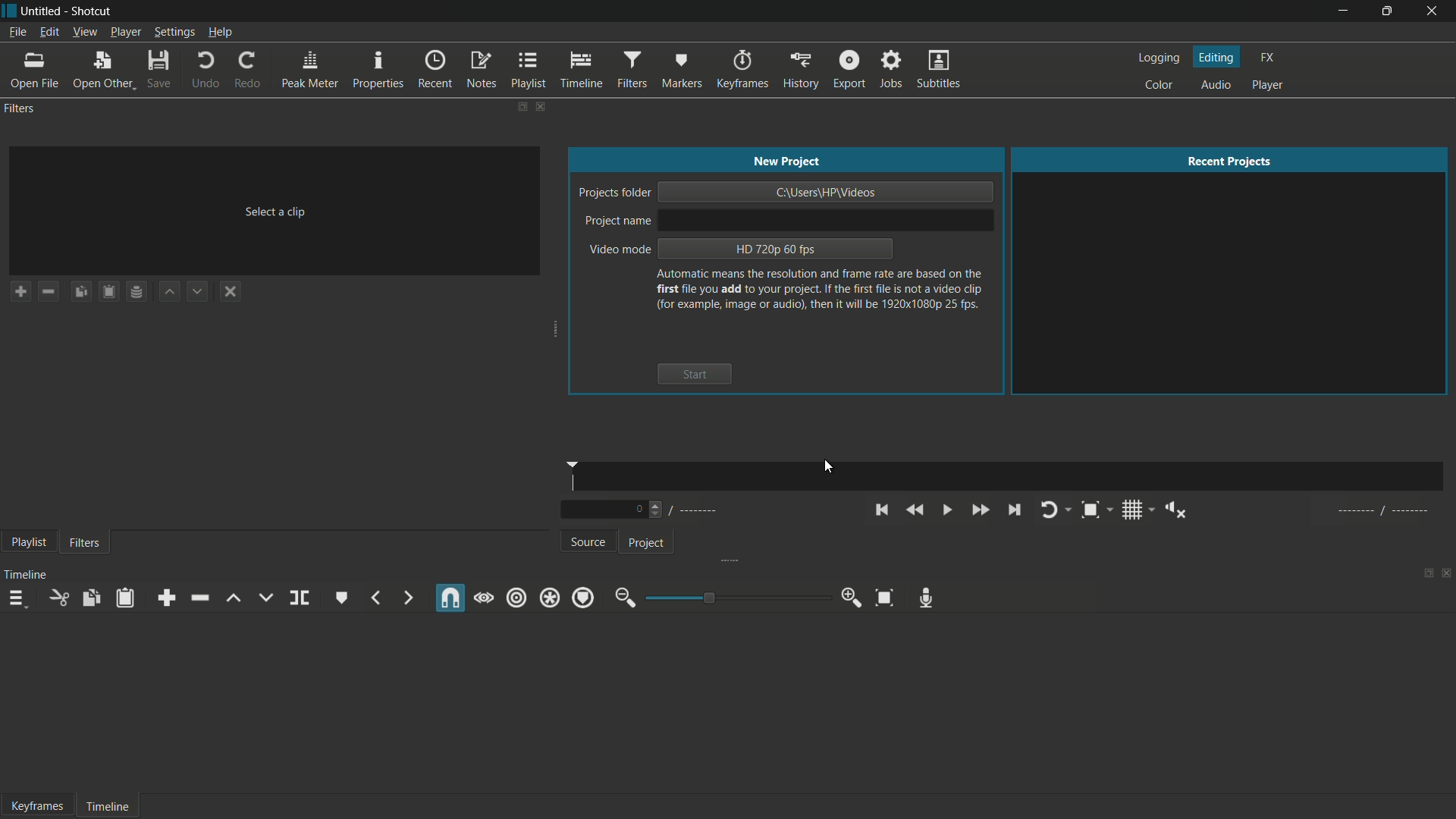 The width and height of the screenshot is (1456, 819). I want to click on ripple, so click(516, 598).